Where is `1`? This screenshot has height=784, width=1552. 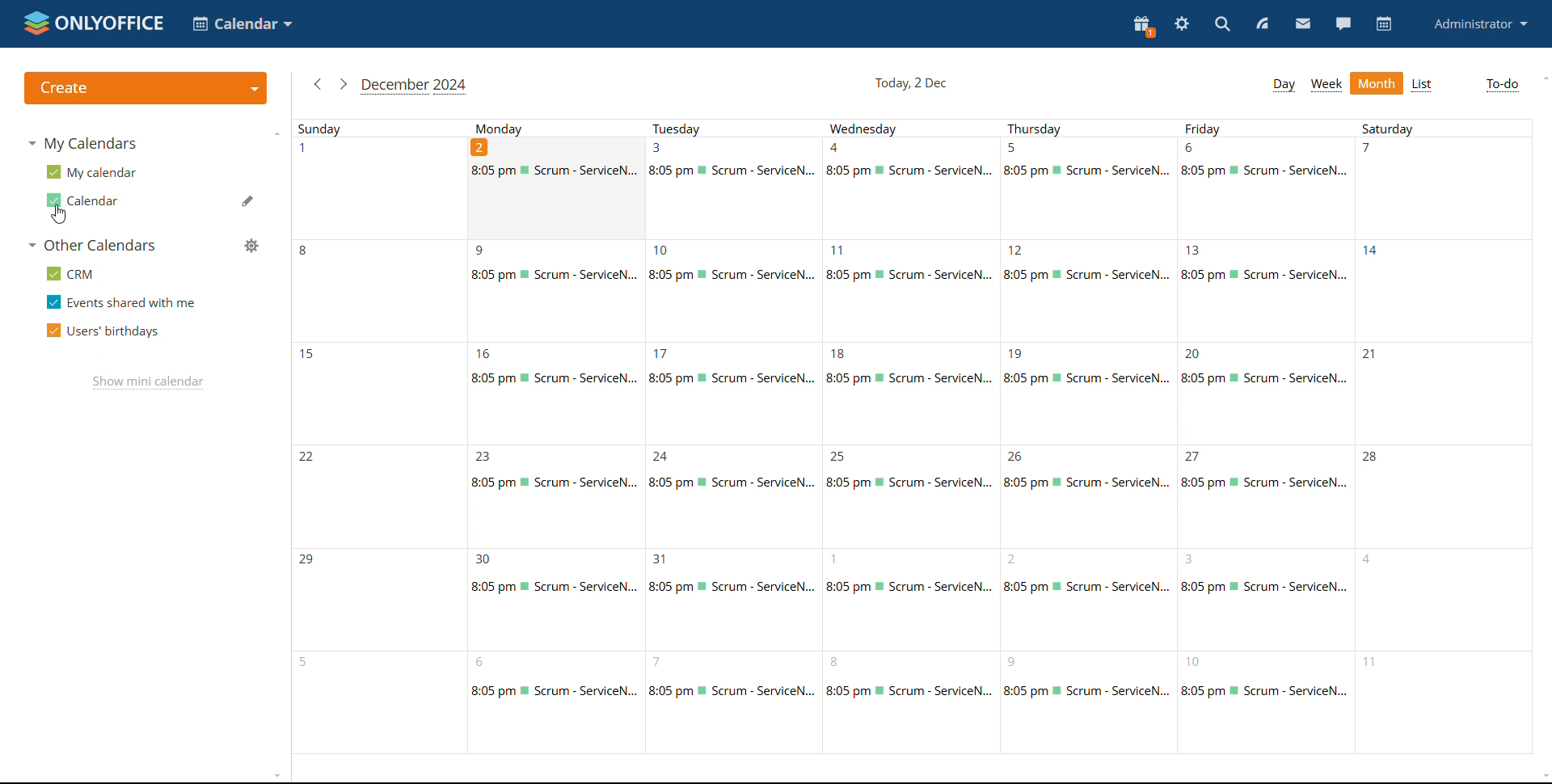 1 is located at coordinates (376, 187).